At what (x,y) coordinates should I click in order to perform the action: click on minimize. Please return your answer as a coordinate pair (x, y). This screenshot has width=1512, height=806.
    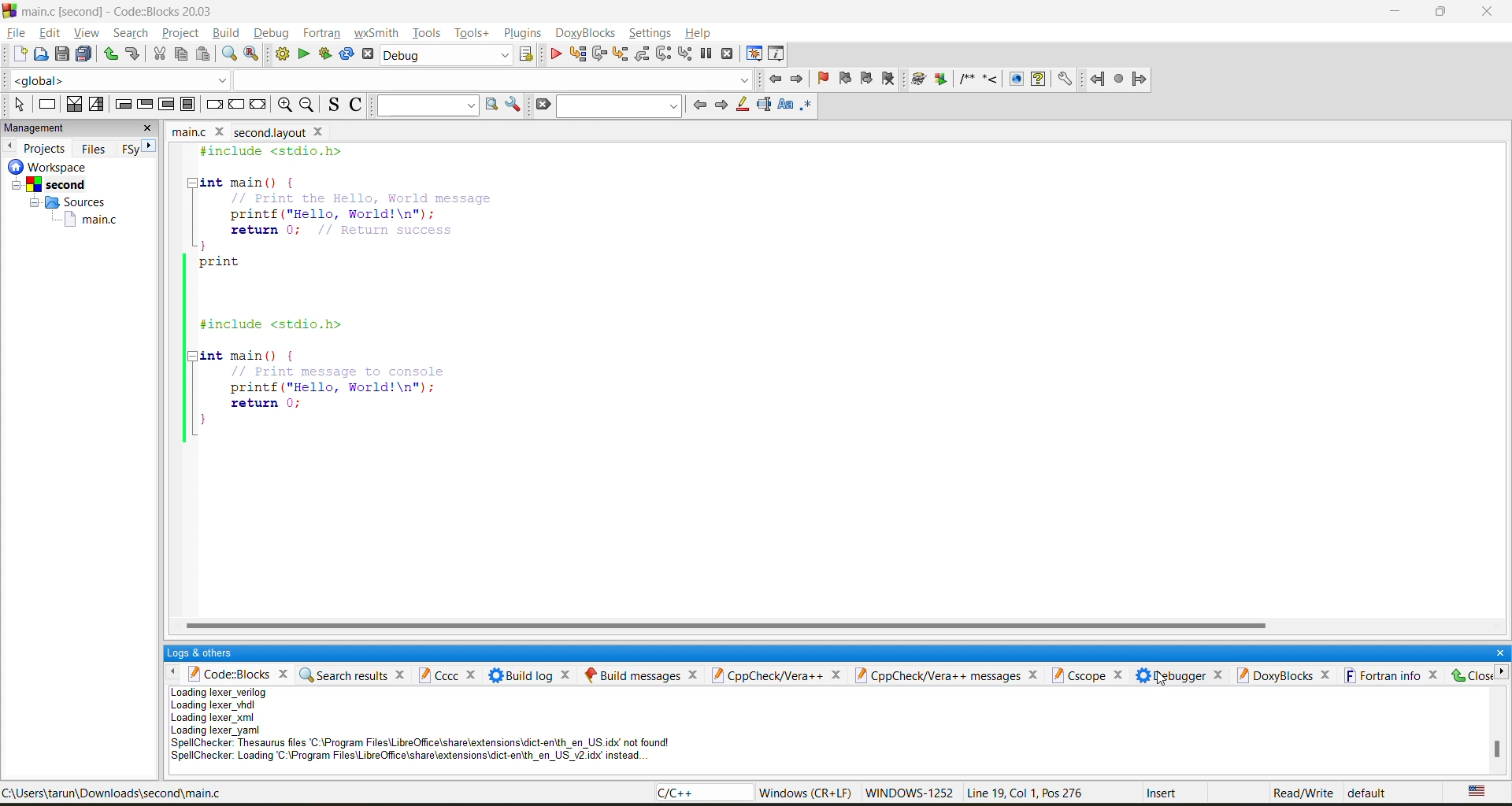
    Looking at the image, I should click on (1397, 15).